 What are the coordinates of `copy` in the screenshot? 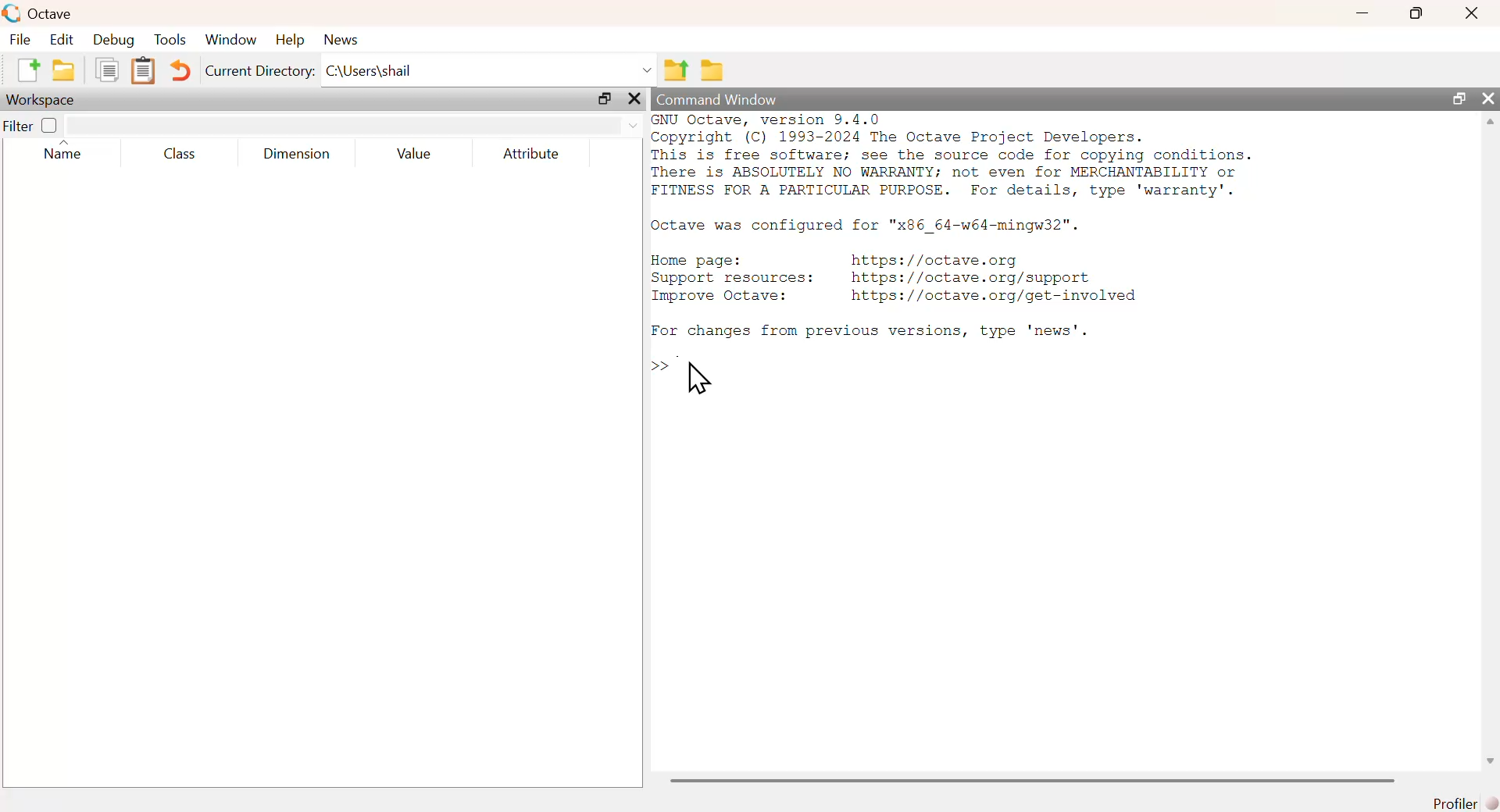 It's located at (105, 69).